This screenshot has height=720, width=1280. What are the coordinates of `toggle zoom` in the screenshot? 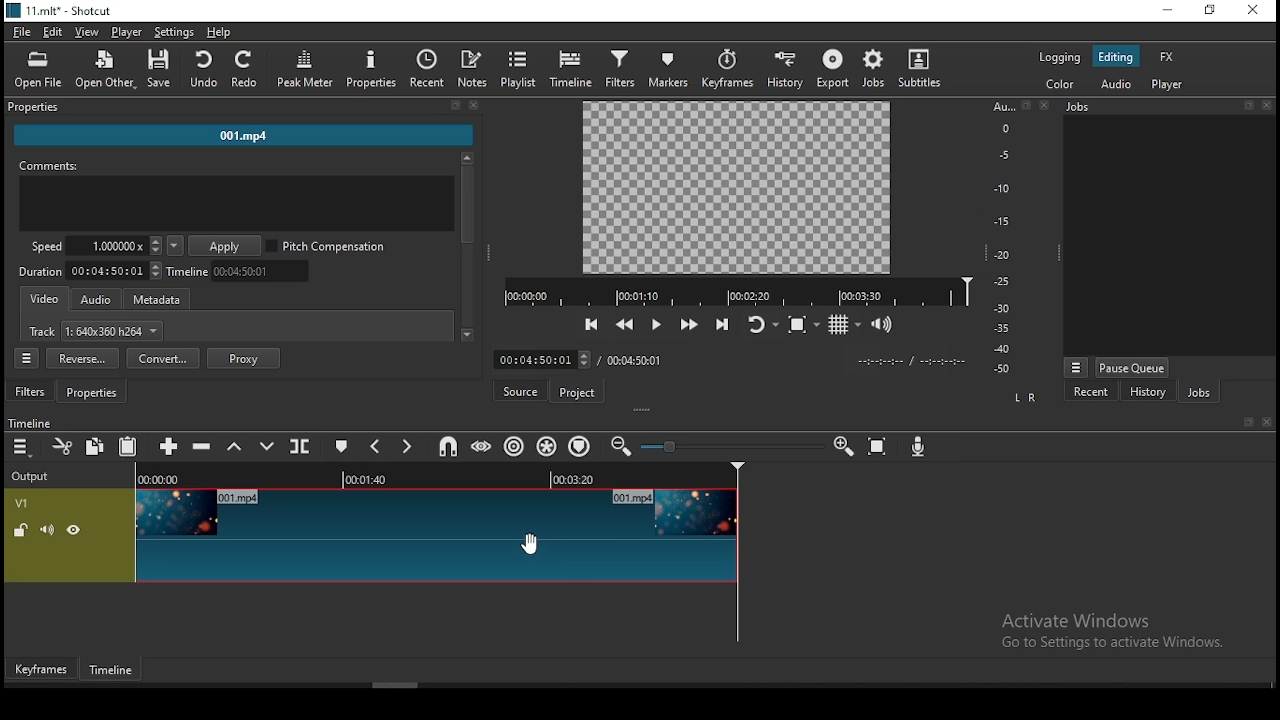 It's located at (805, 322).